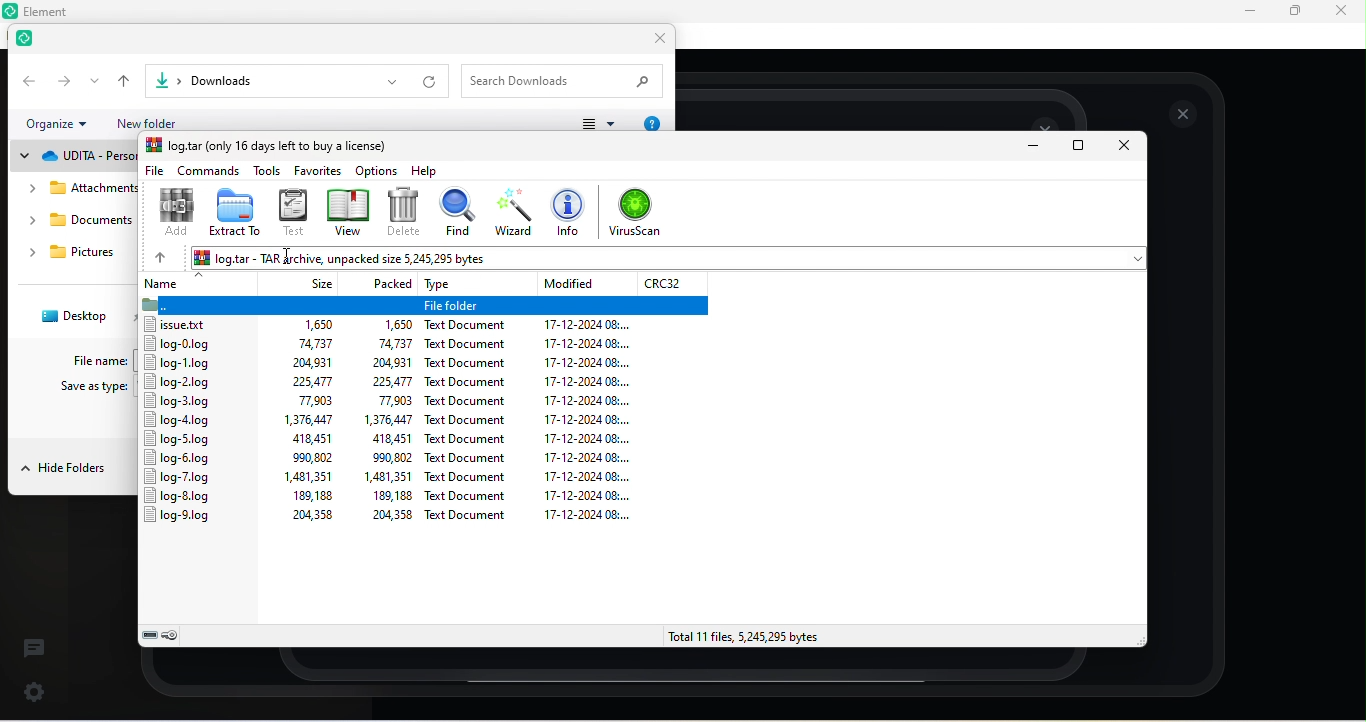 This screenshot has width=1366, height=722. I want to click on back, so click(27, 80).